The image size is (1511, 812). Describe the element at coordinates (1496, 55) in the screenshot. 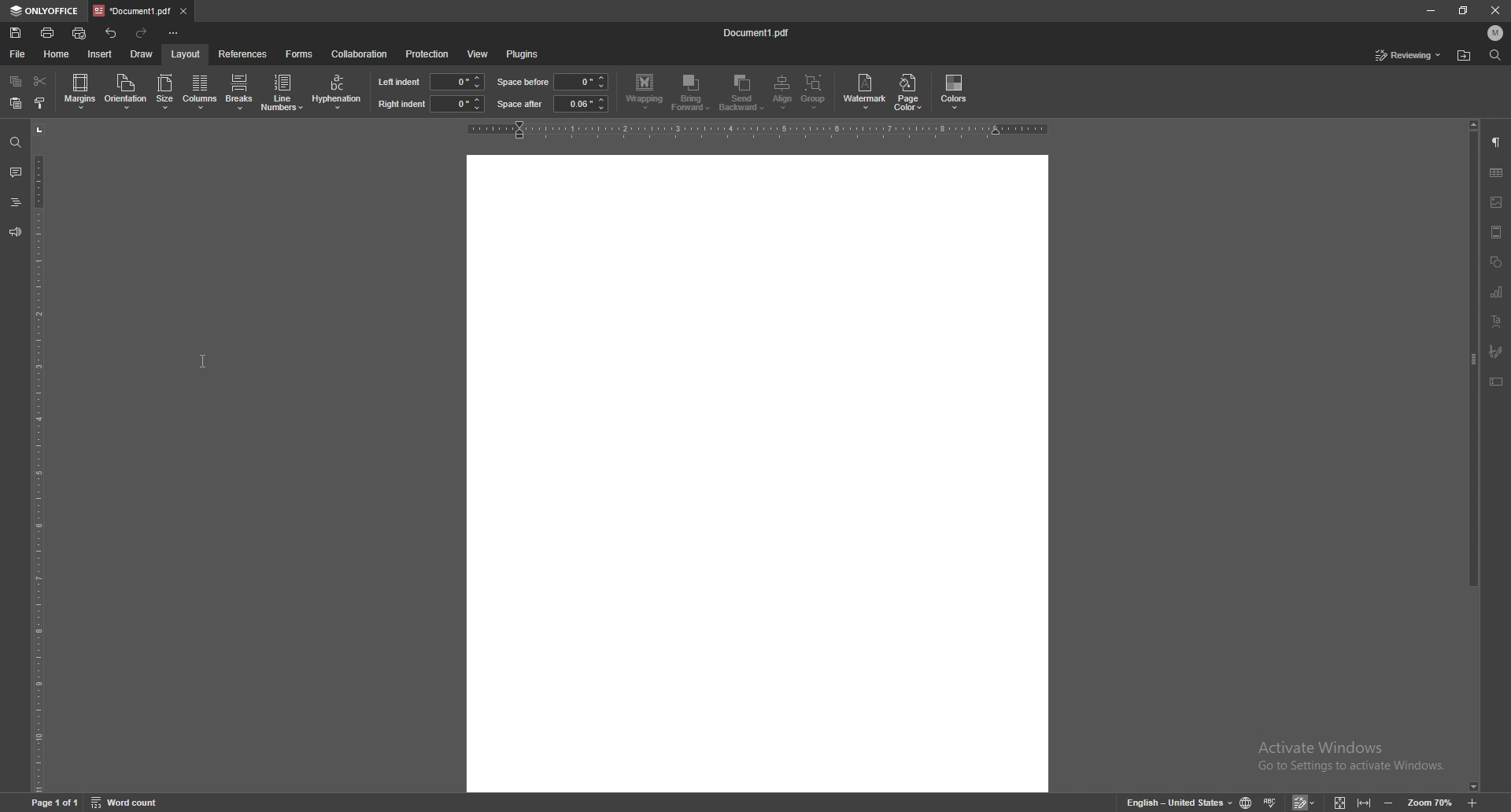

I see `find` at that location.